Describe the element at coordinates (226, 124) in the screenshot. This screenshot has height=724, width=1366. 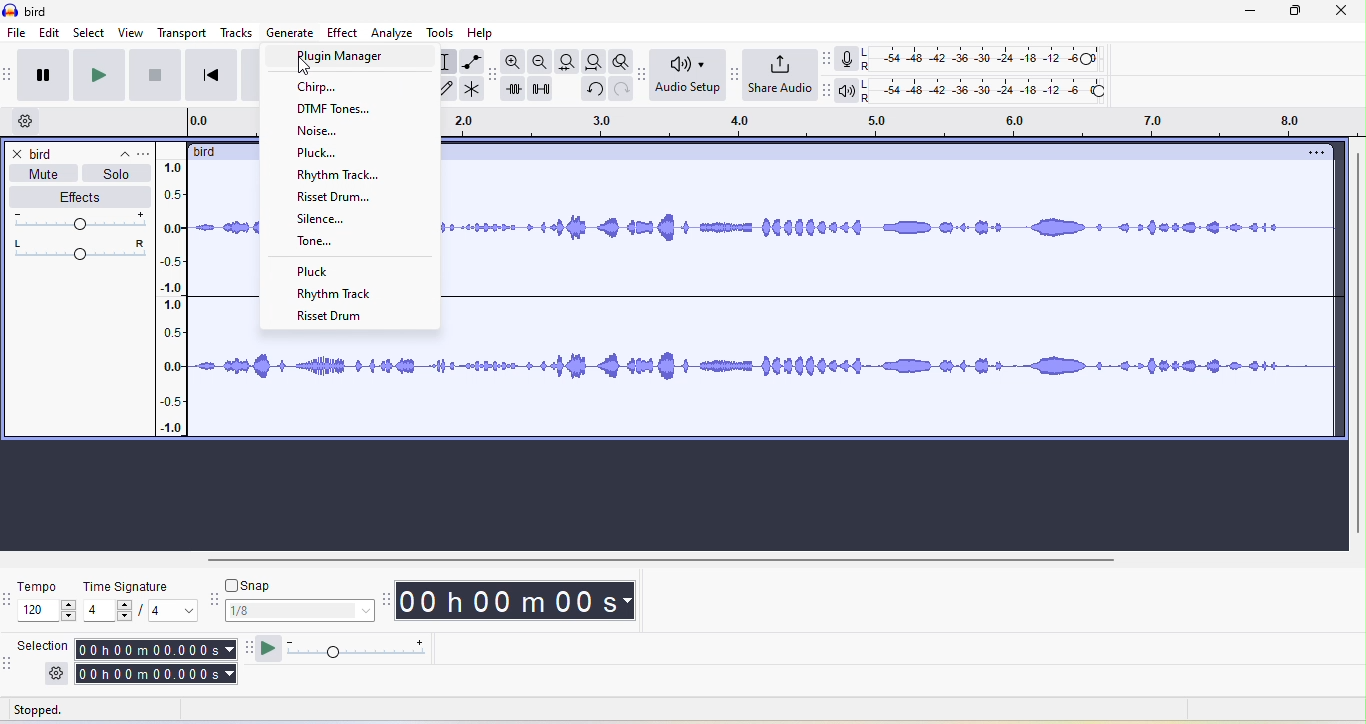
I see `time for track` at that location.